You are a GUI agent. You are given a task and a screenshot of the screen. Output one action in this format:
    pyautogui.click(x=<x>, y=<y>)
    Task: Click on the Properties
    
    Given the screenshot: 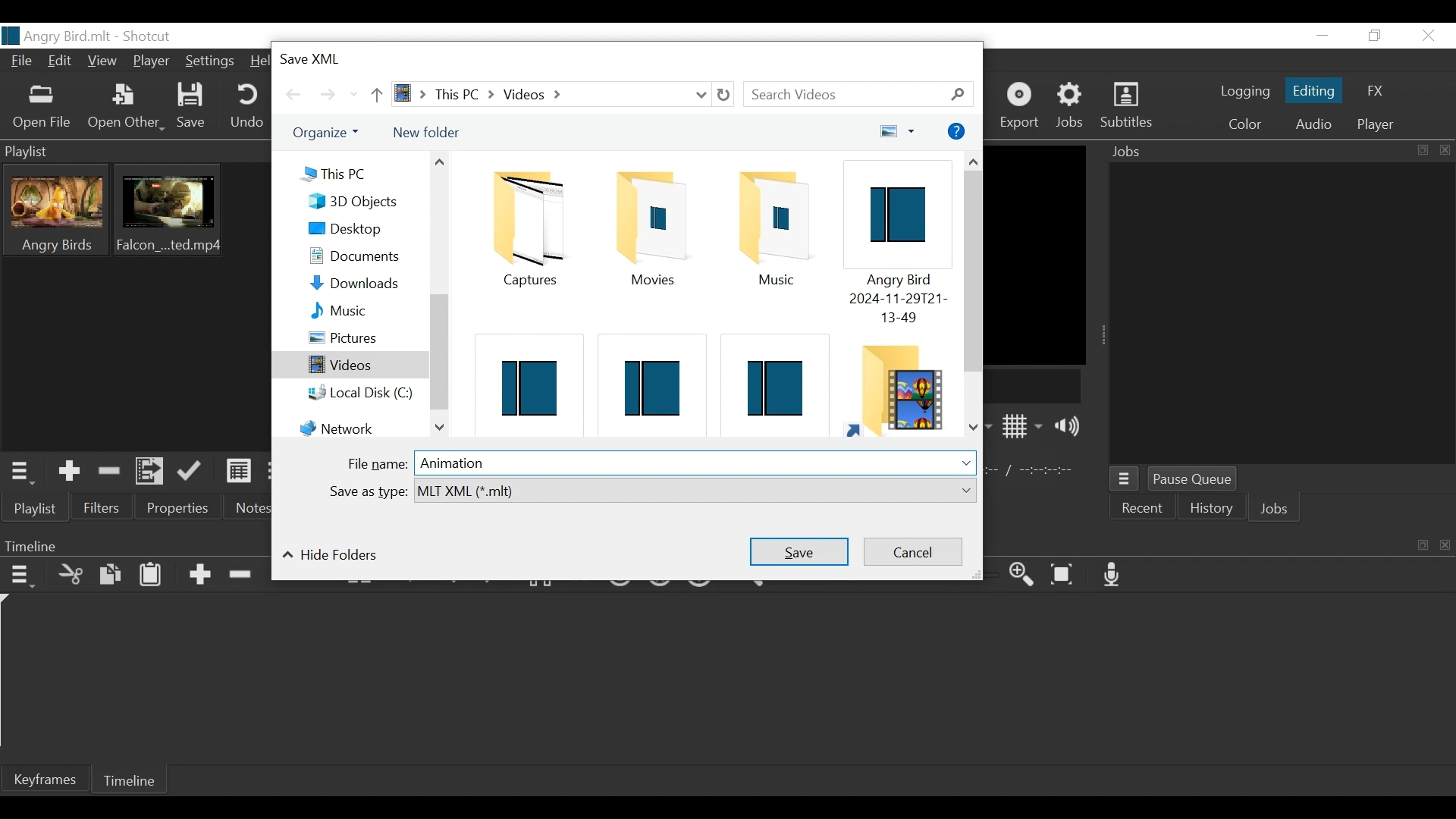 What is the action you would take?
    pyautogui.click(x=178, y=510)
    